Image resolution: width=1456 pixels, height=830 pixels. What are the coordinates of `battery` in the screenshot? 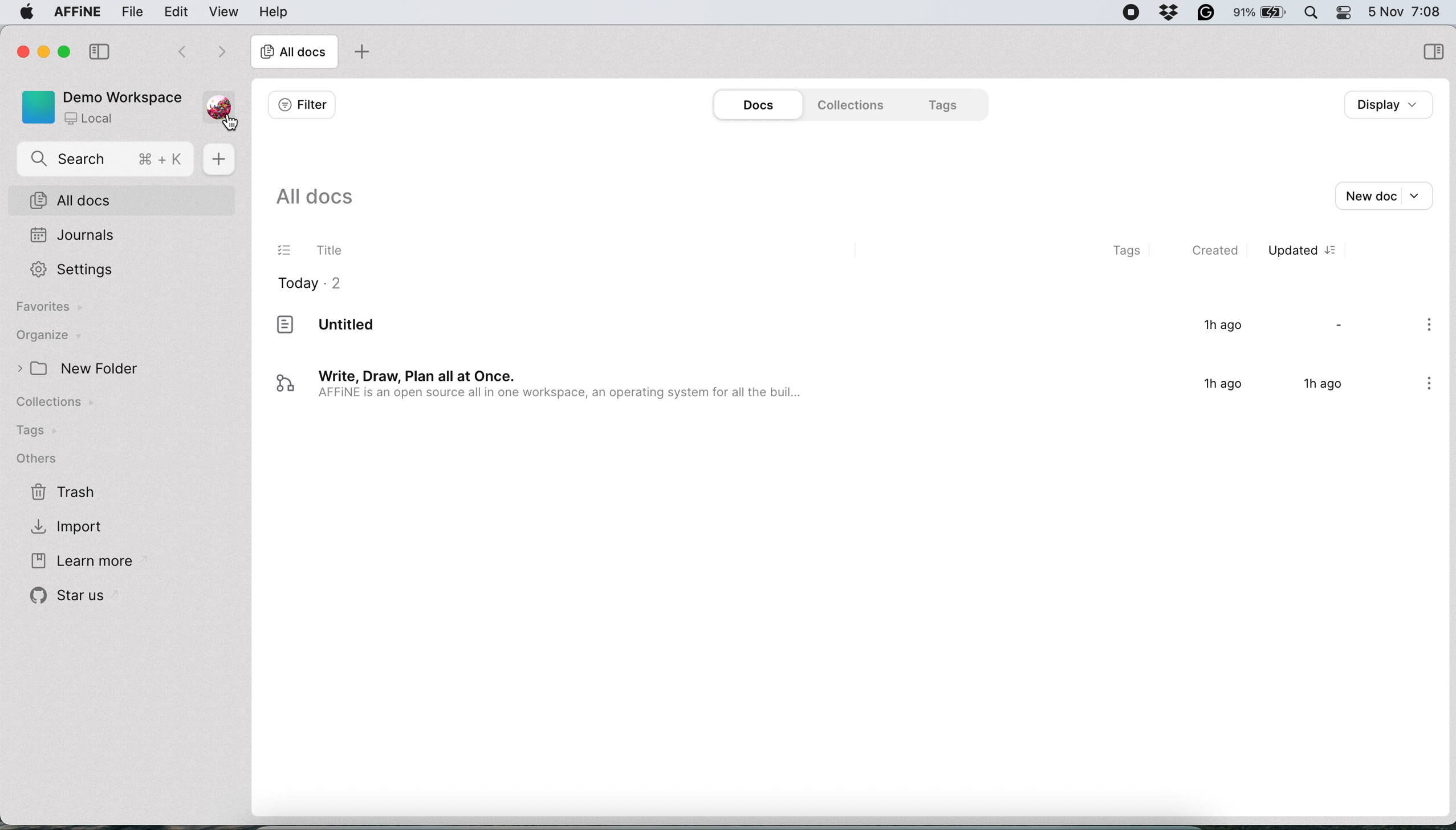 It's located at (1263, 14).